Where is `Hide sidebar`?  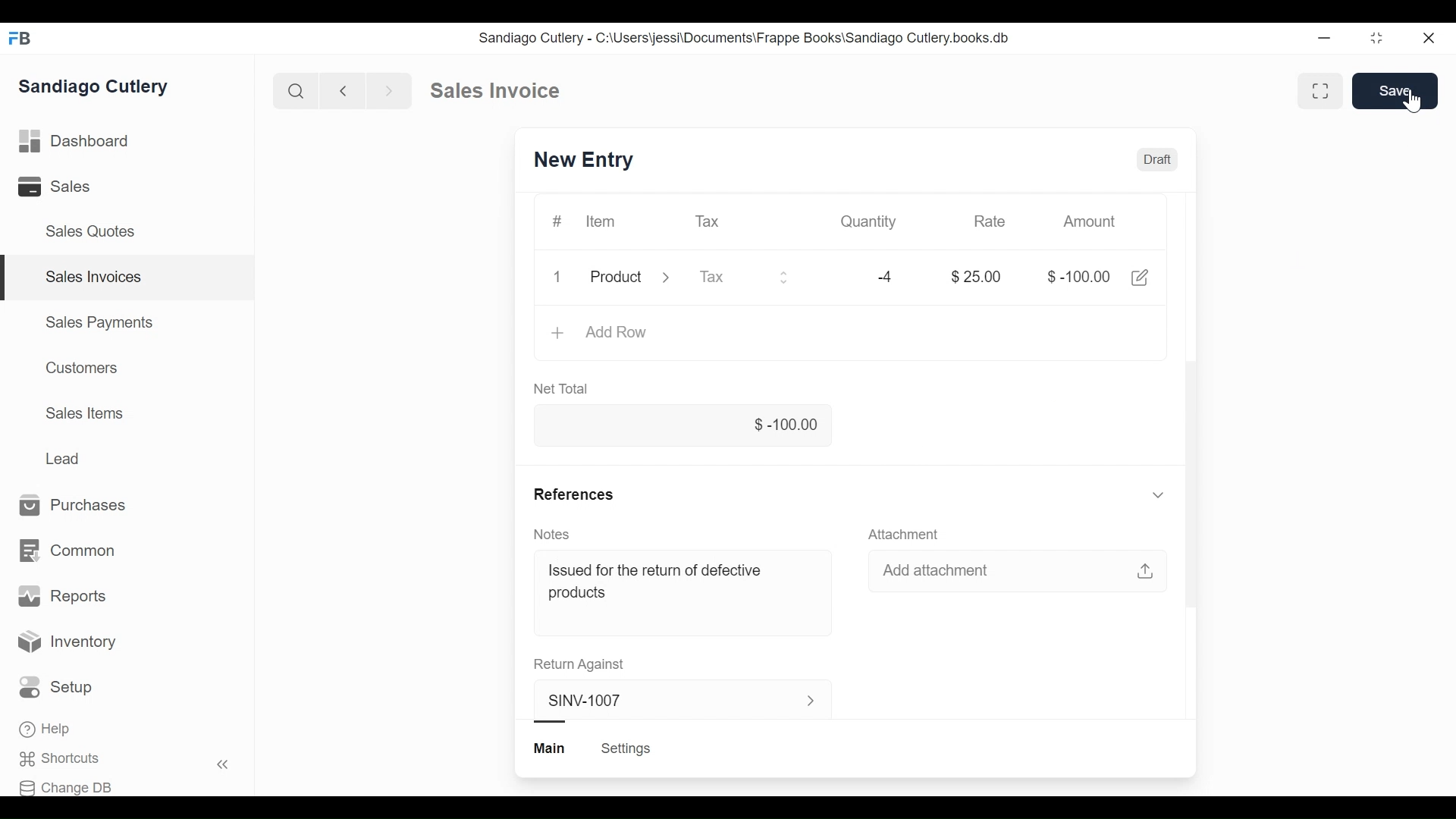
Hide sidebar is located at coordinates (224, 764).